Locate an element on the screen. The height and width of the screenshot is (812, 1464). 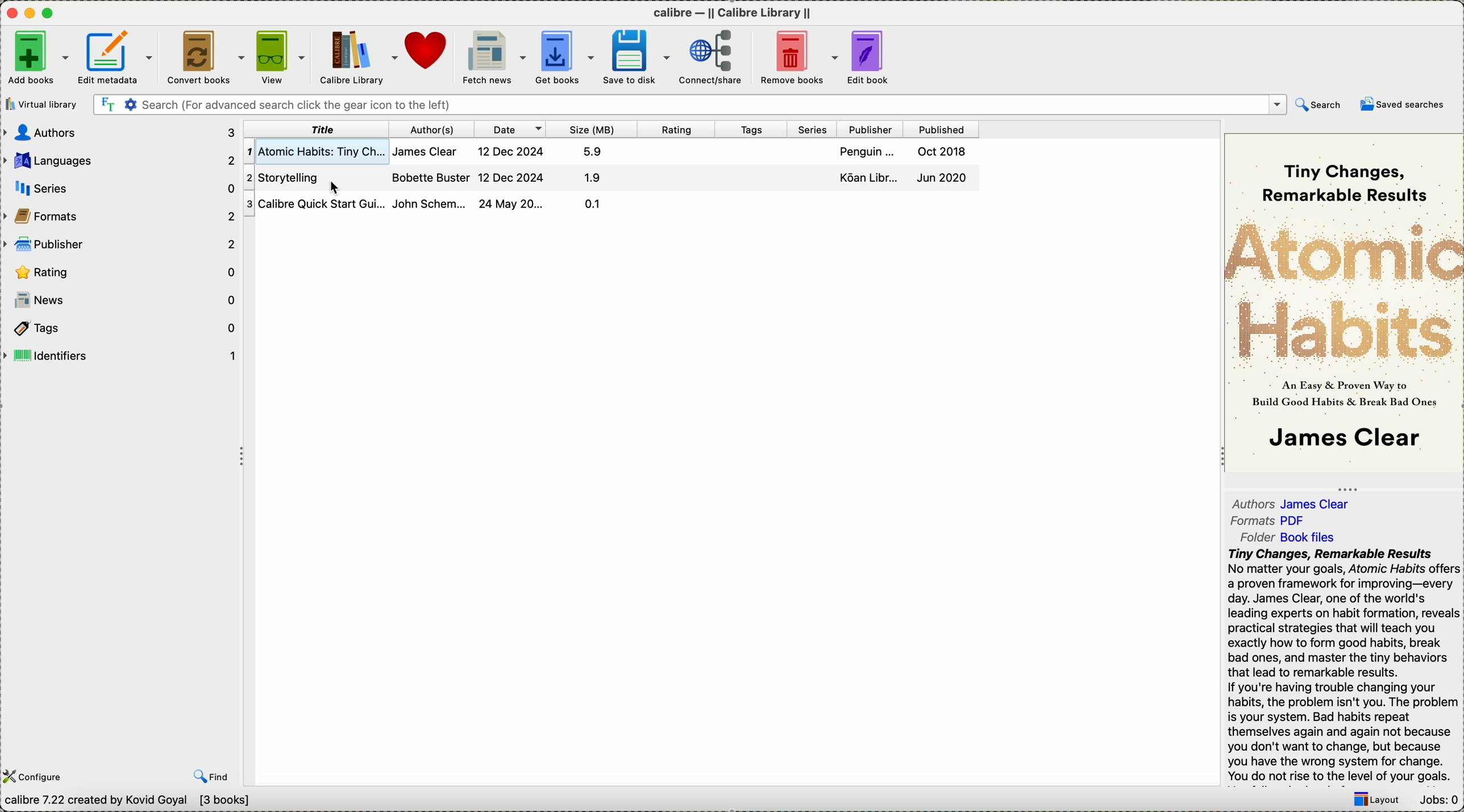
authors is located at coordinates (1295, 502).